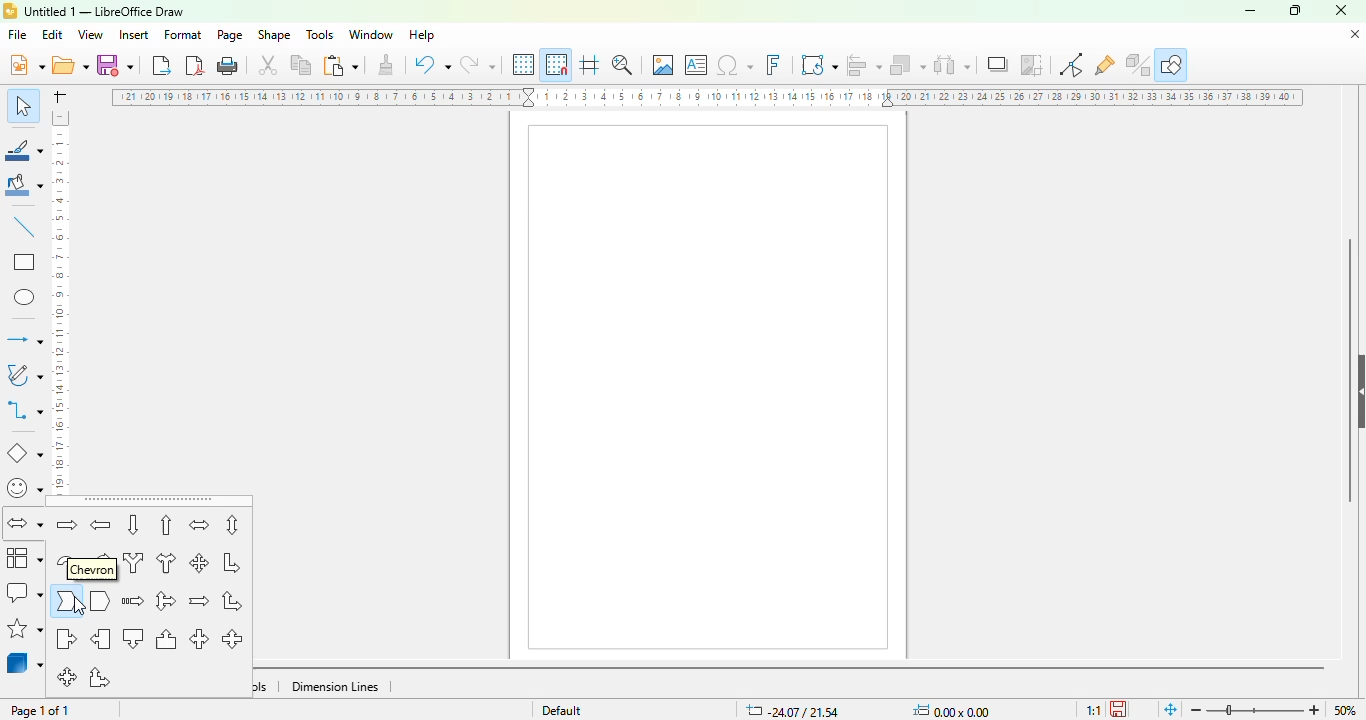  I want to click on scaling factor of the document, so click(1093, 710).